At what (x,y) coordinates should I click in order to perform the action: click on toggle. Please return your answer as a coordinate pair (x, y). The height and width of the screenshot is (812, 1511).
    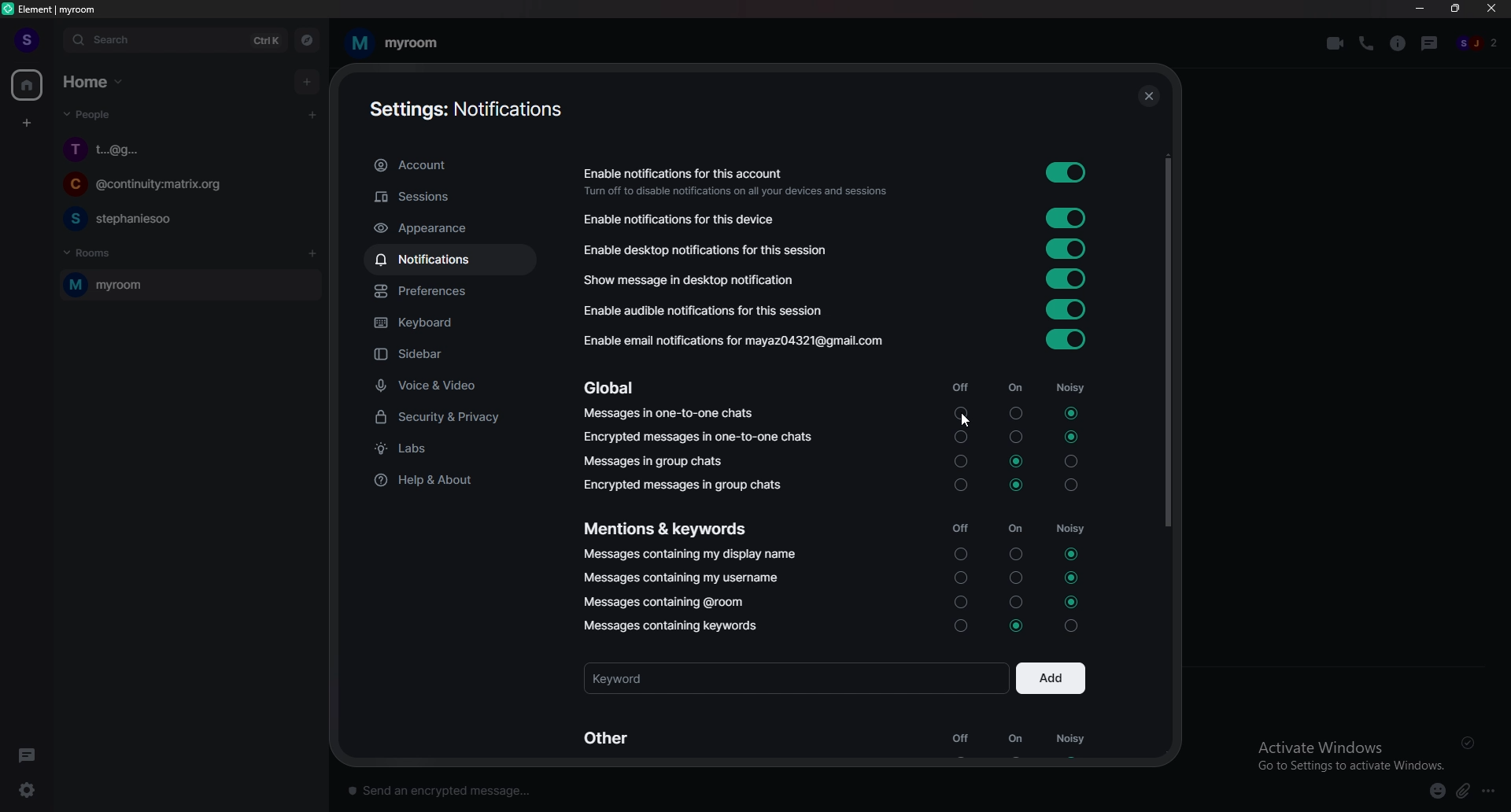
    Looking at the image, I should click on (1066, 308).